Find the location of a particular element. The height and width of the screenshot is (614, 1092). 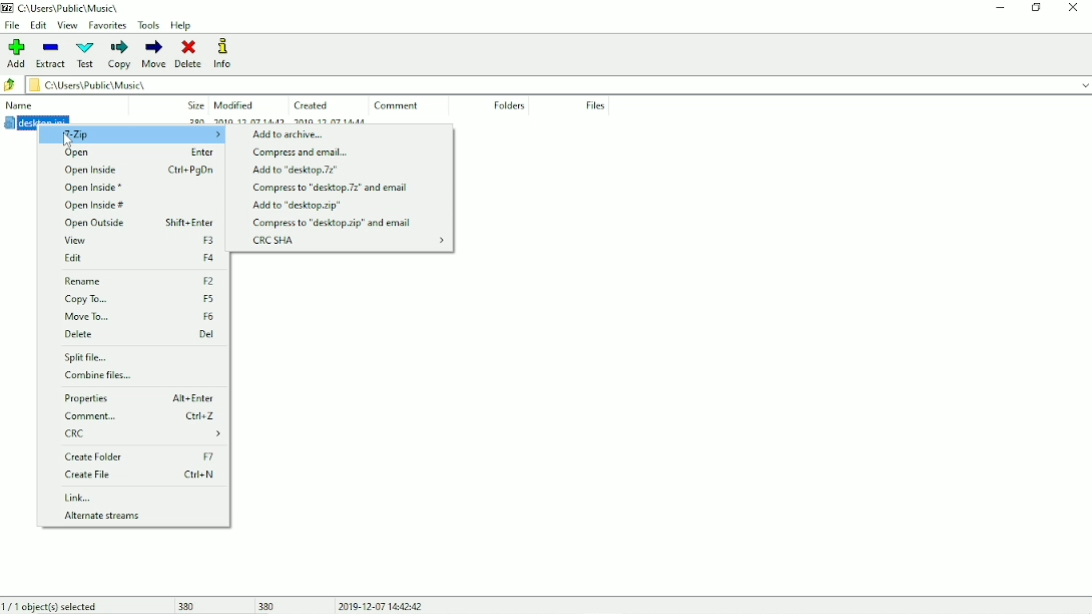

Folders is located at coordinates (507, 106).